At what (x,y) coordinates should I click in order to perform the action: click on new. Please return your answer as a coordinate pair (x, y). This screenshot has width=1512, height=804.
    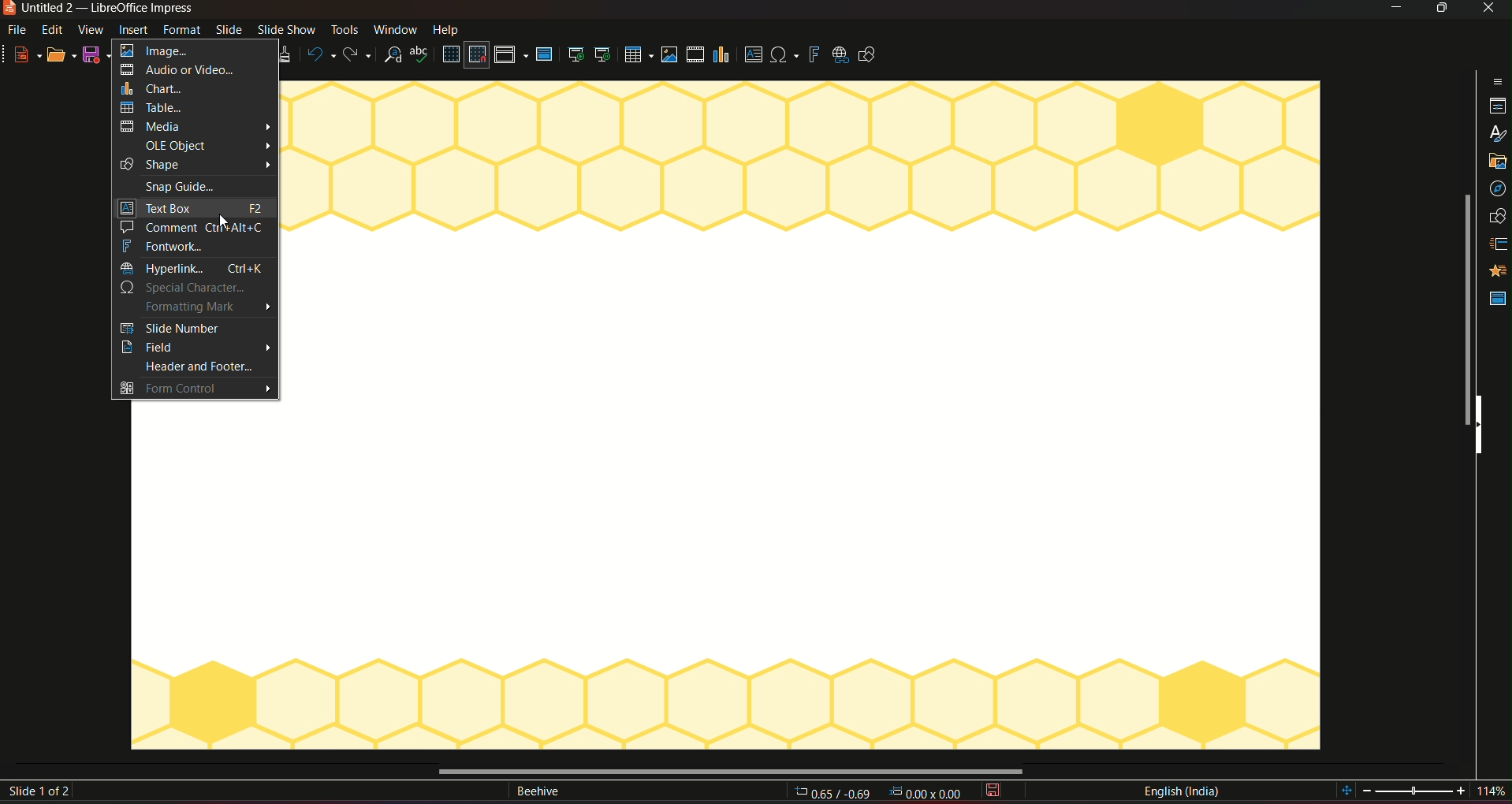
    Looking at the image, I should click on (24, 54).